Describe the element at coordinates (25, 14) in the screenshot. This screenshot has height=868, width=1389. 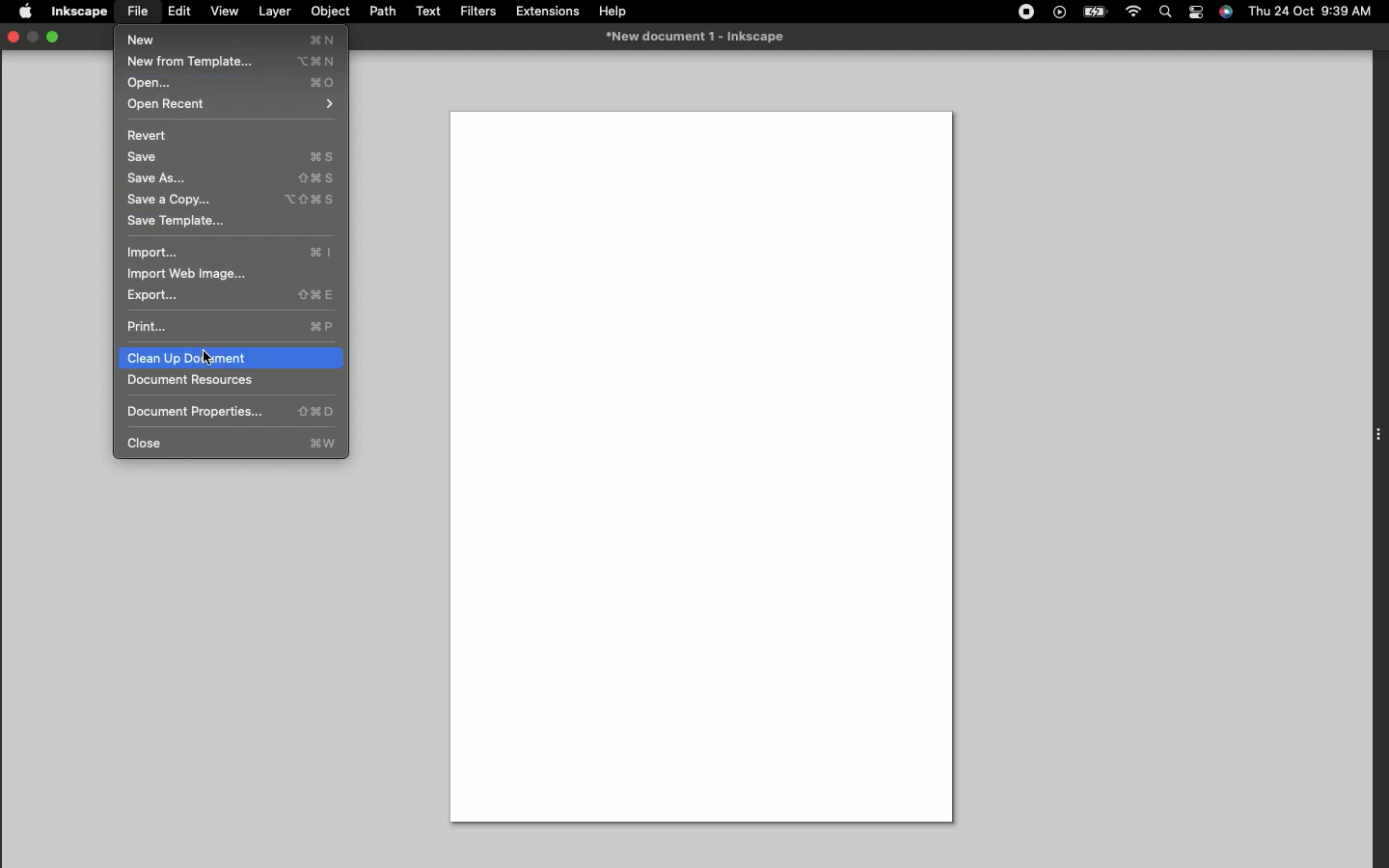
I see `Apple logo` at that location.